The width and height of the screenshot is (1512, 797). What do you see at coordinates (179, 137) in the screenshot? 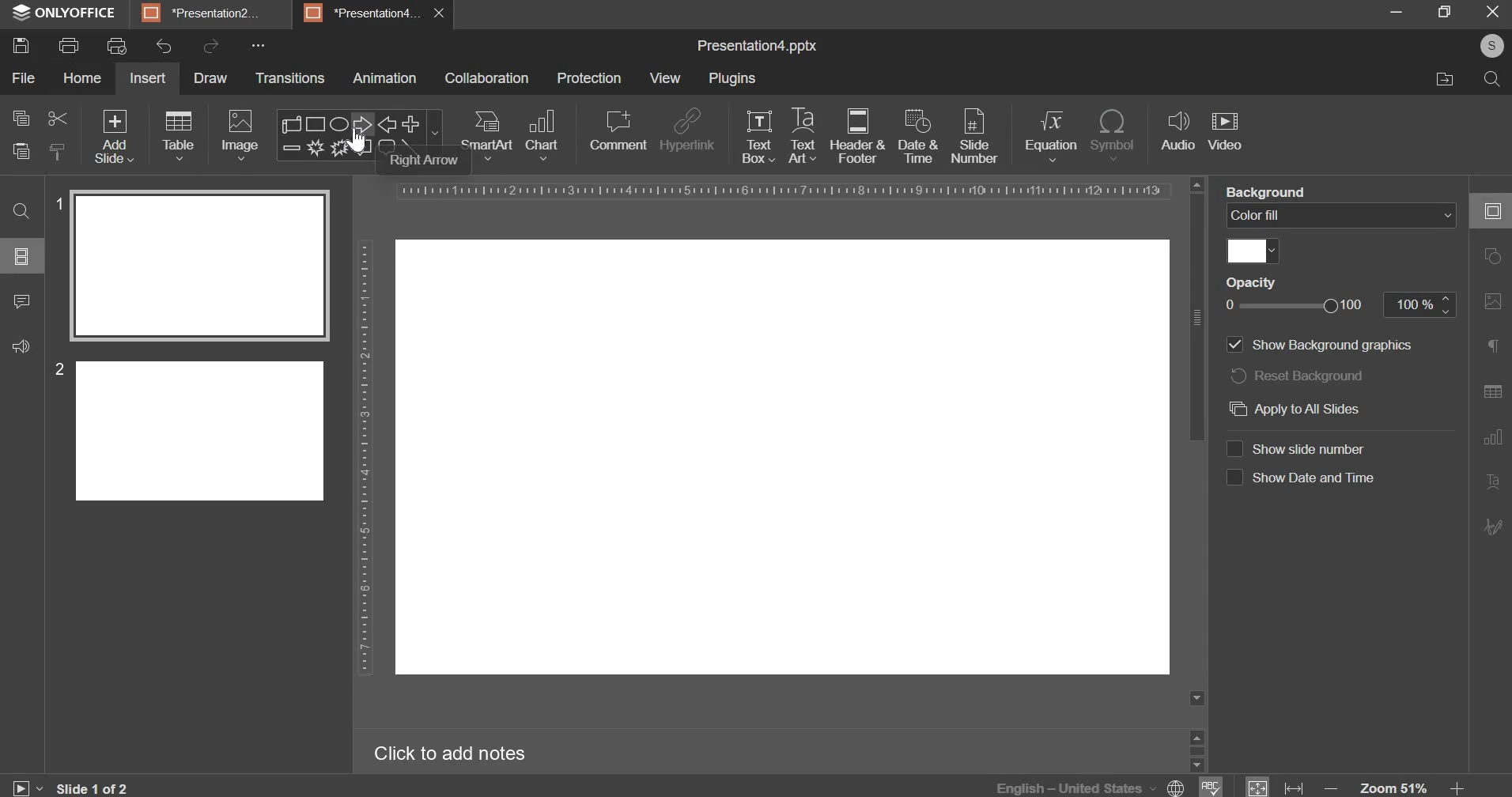
I see `table` at bounding box center [179, 137].